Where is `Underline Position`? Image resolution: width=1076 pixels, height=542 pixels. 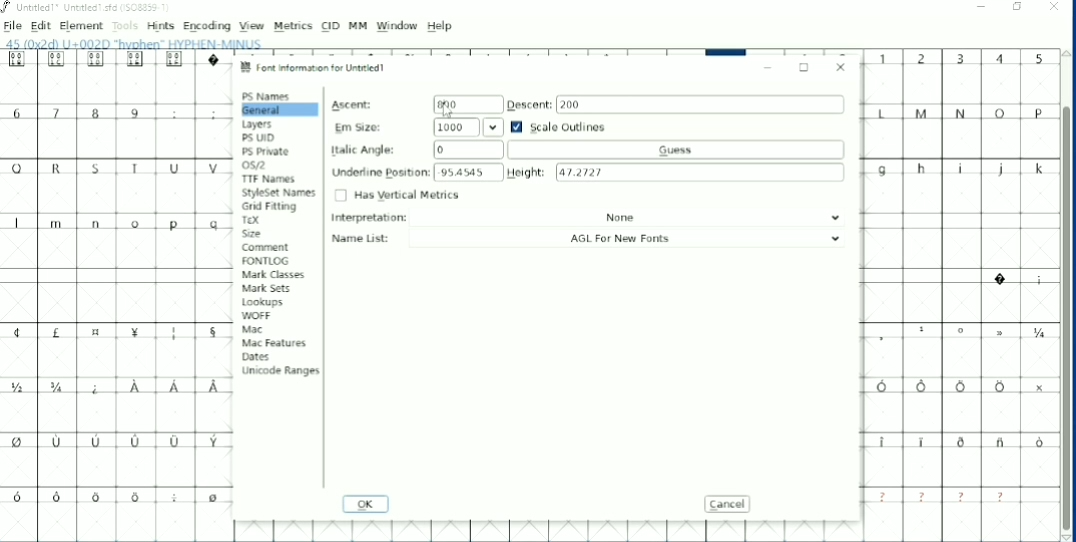 Underline Position is located at coordinates (416, 172).